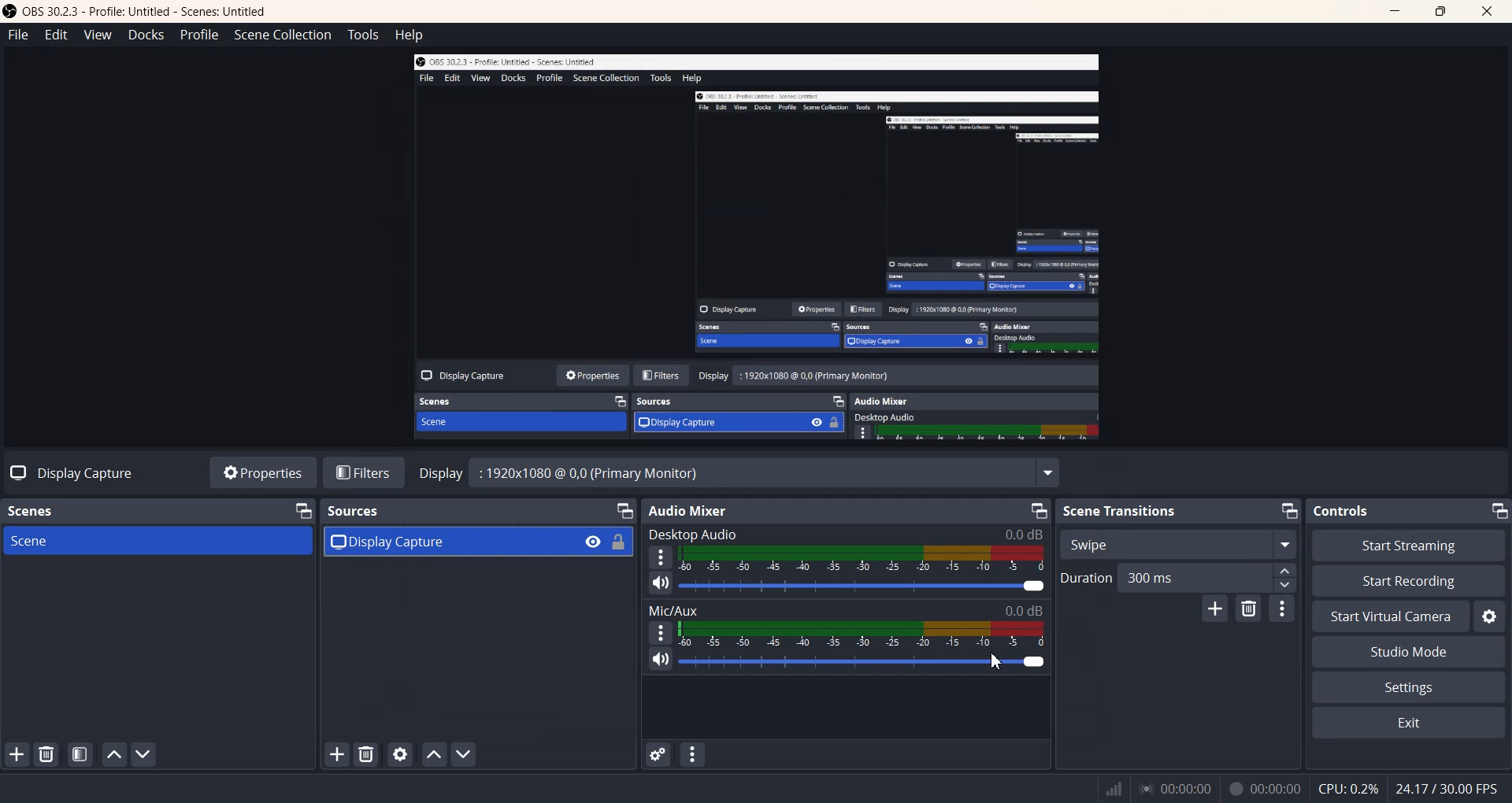 The image size is (1512, 803). Describe the element at coordinates (861, 662) in the screenshot. I see `Volume Adjuster` at that location.